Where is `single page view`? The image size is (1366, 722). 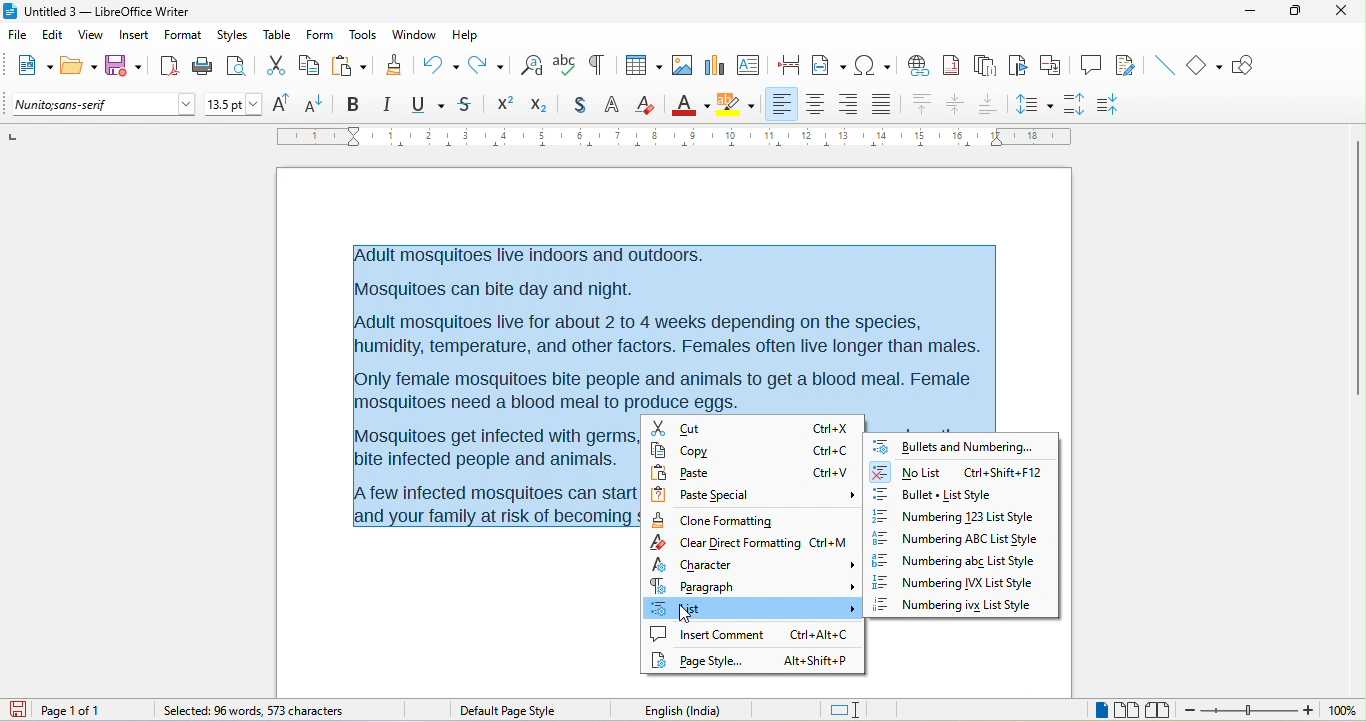 single page view is located at coordinates (1087, 712).